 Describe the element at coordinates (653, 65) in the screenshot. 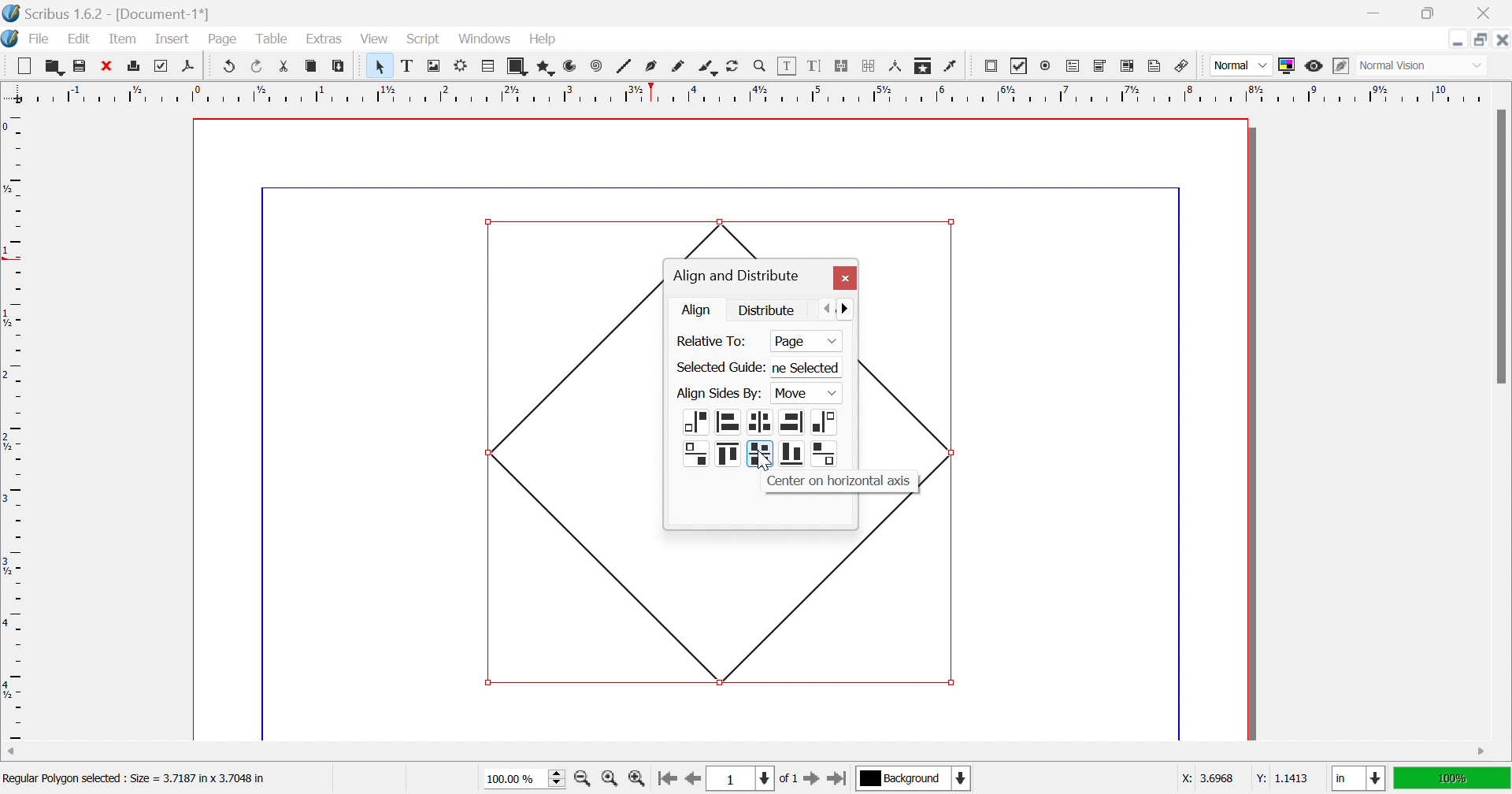

I see `Bezler curve` at that location.